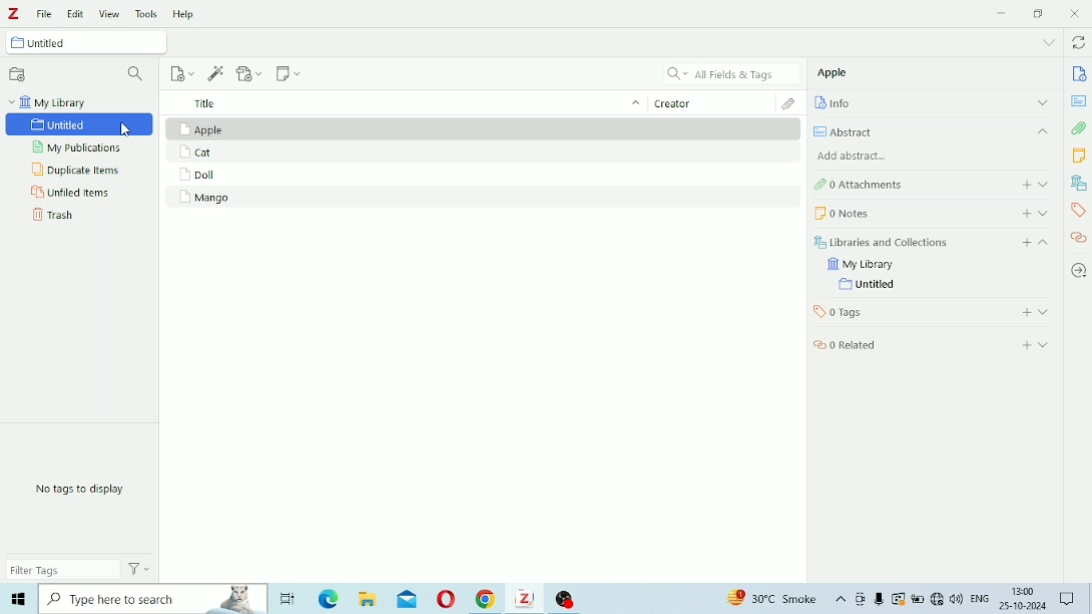 The image size is (1092, 614). I want to click on Tags, so click(1077, 209).